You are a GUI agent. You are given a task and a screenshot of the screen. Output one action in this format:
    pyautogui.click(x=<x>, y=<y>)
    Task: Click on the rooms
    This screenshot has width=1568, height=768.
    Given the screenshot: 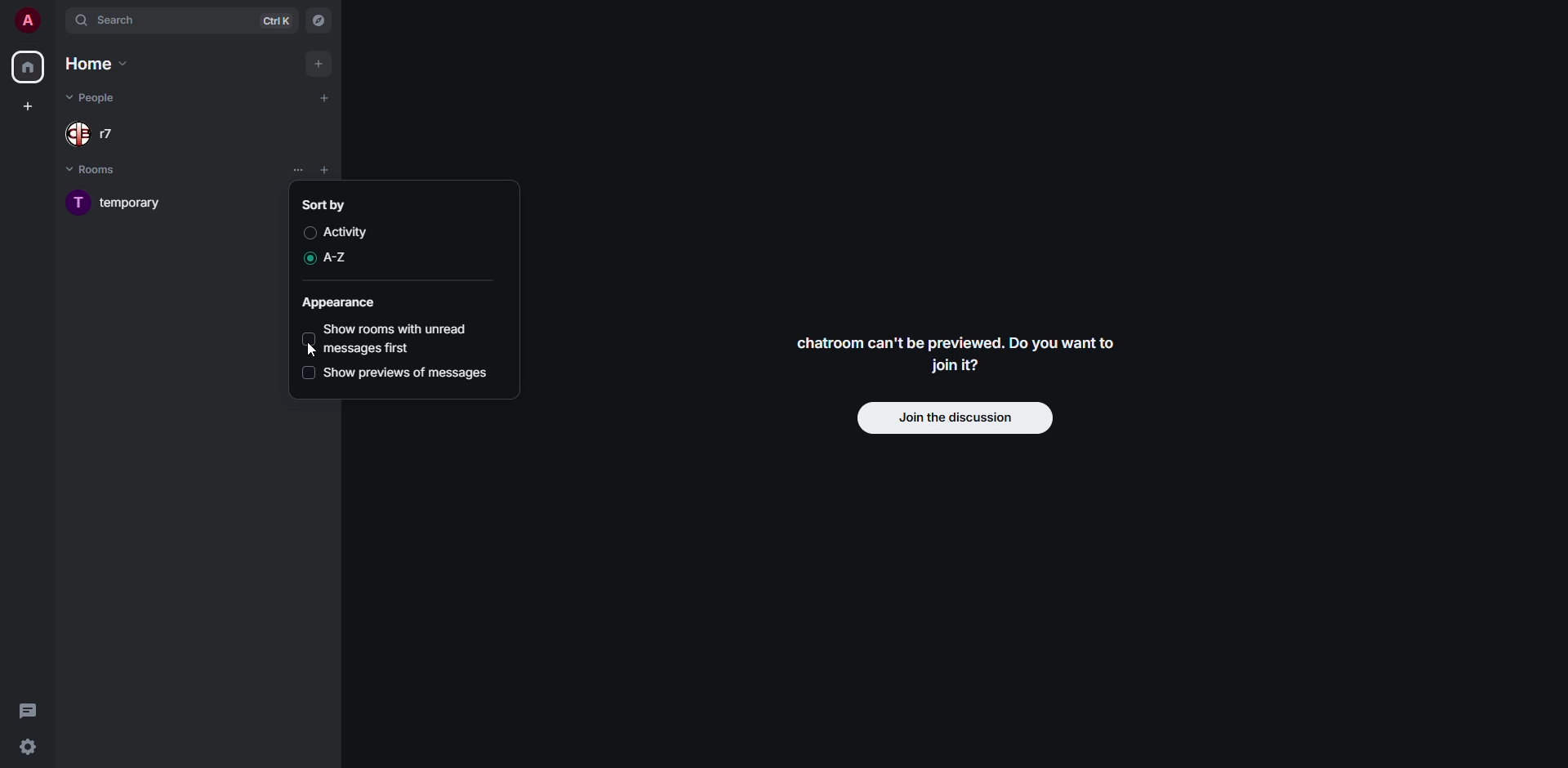 What is the action you would take?
    pyautogui.click(x=94, y=168)
    